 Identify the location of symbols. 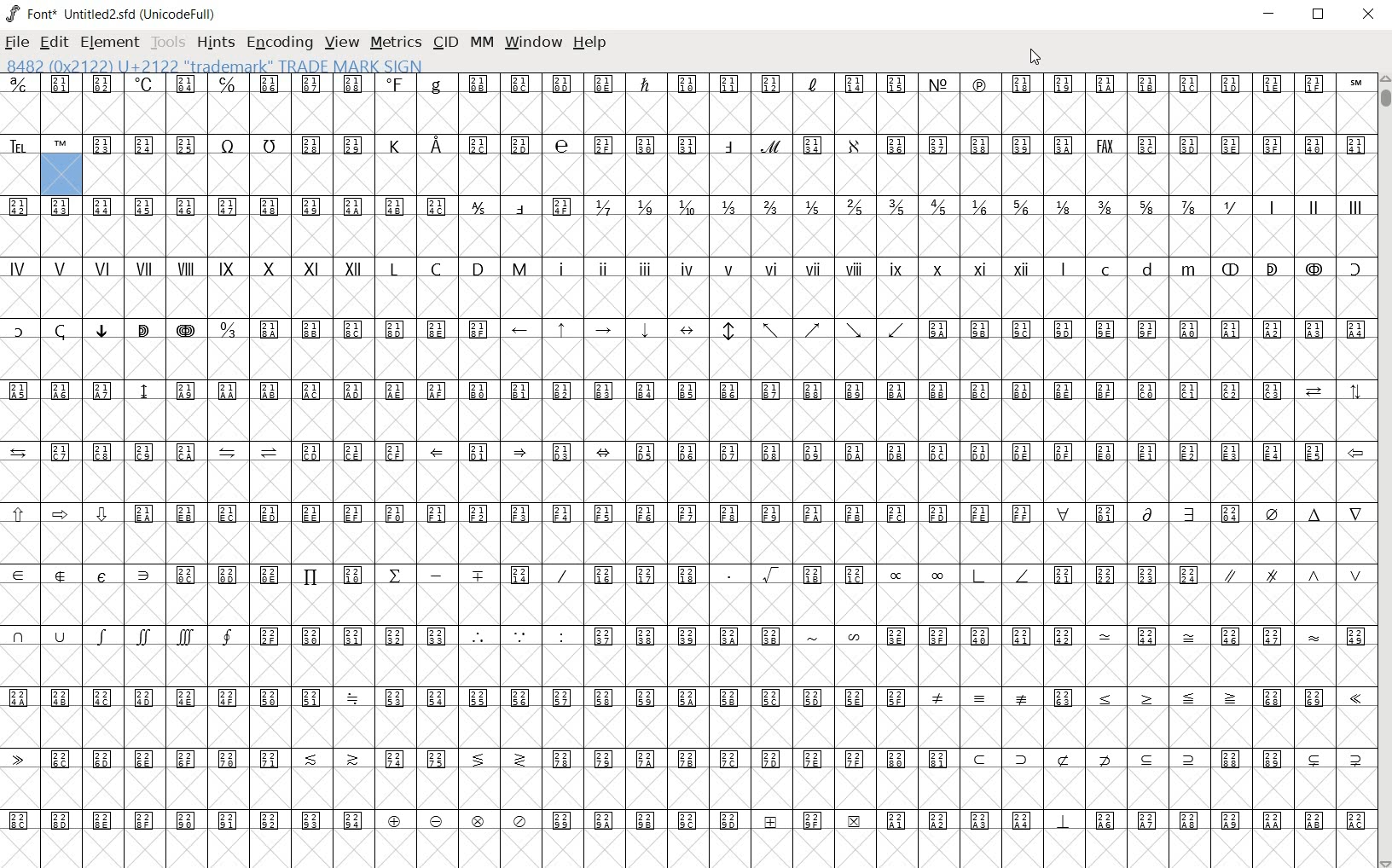
(687, 134).